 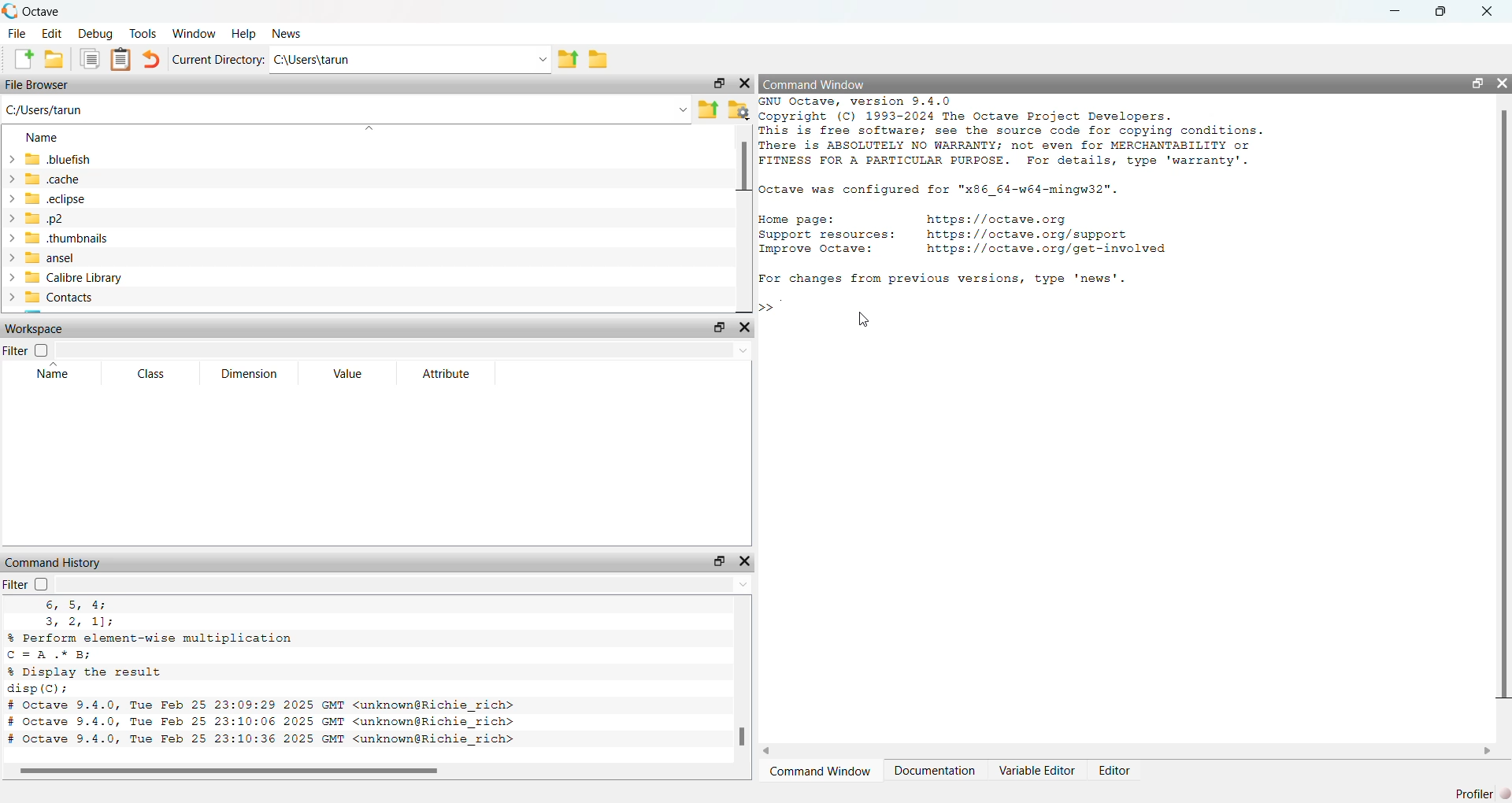 What do you see at coordinates (90, 58) in the screenshot?
I see `Documents` at bounding box center [90, 58].